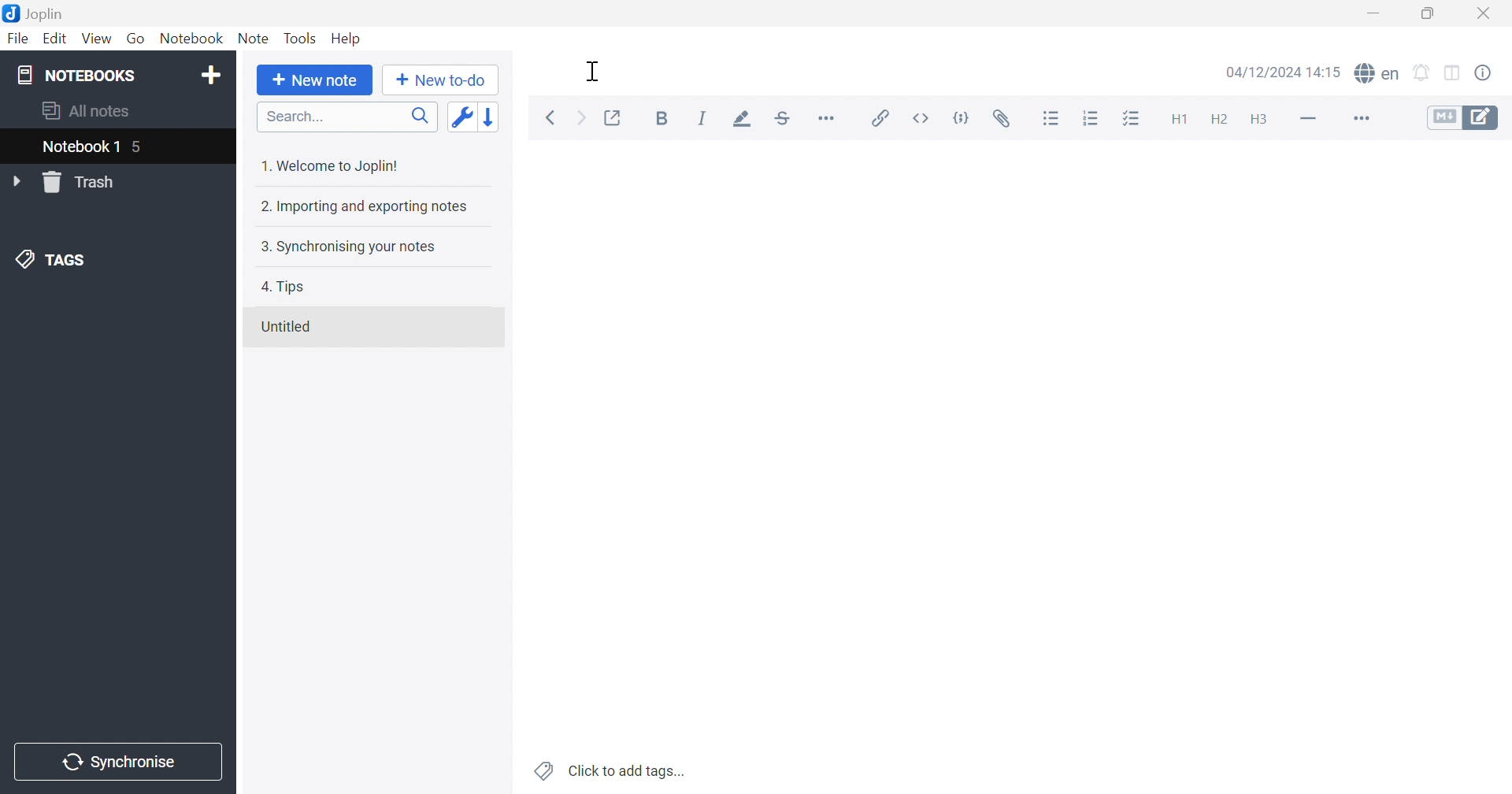 This screenshot has width=1512, height=794. I want to click on Cursor, so click(595, 72).